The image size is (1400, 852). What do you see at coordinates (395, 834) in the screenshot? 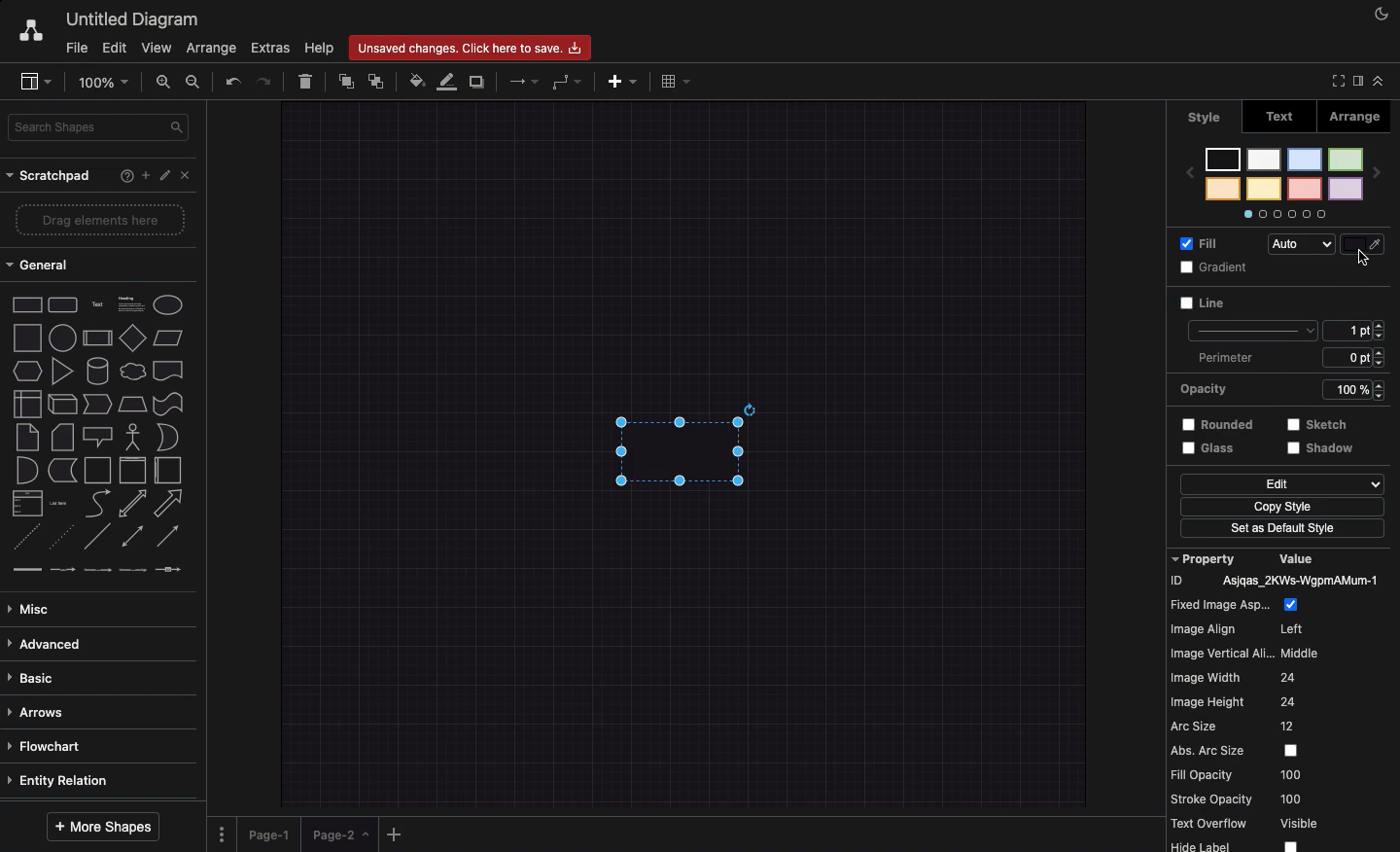
I see `Add` at bounding box center [395, 834].